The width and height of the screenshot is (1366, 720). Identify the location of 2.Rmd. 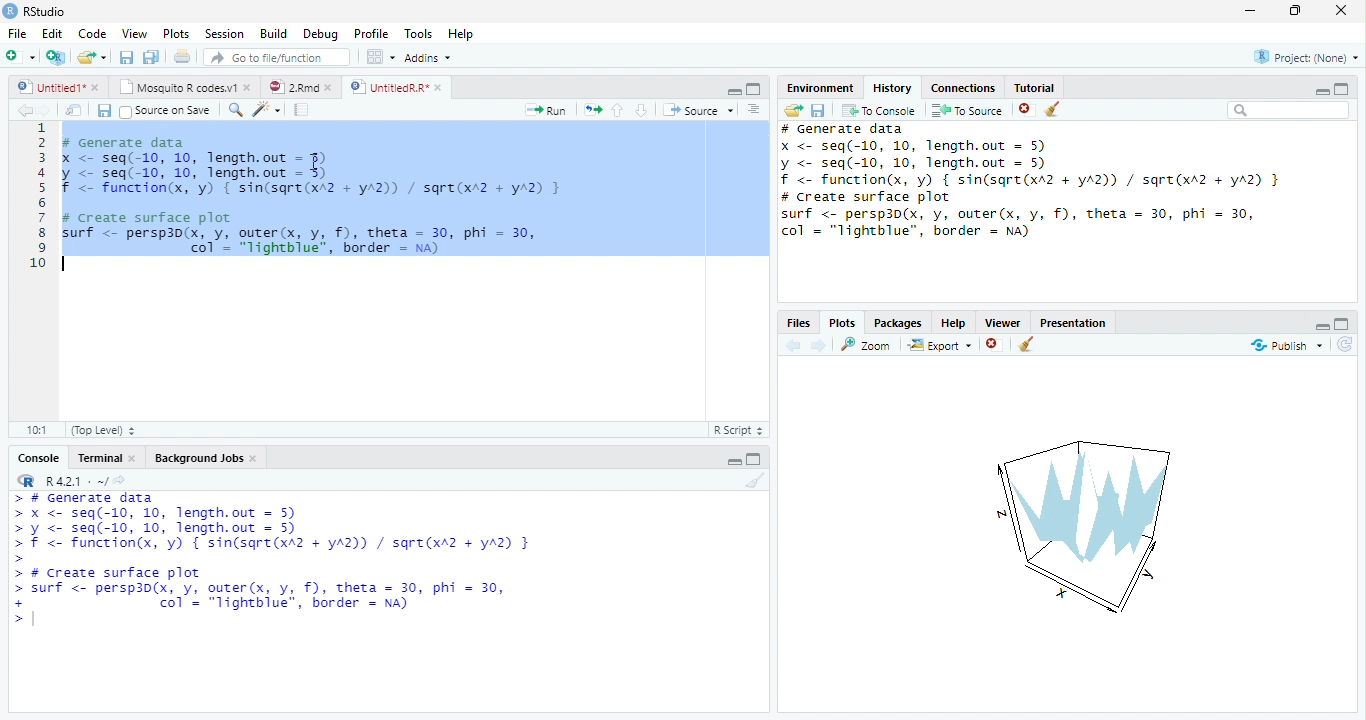
(292, 86).